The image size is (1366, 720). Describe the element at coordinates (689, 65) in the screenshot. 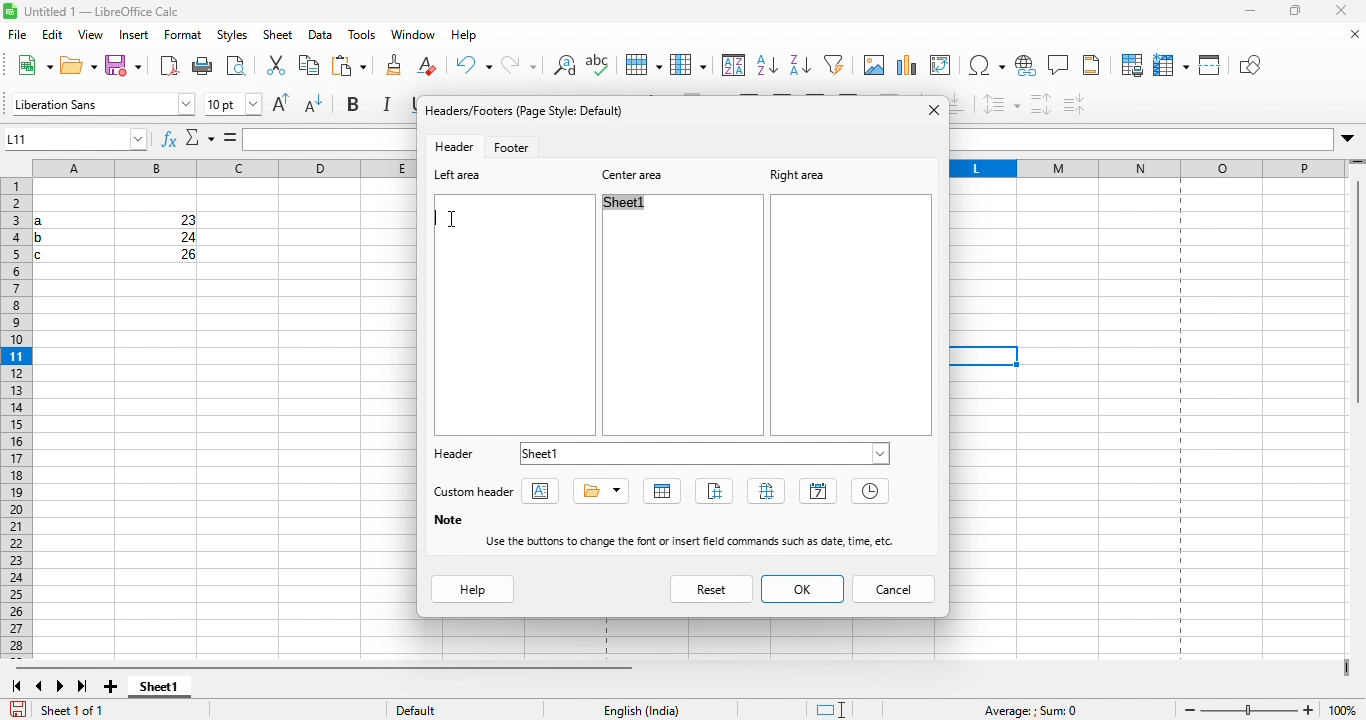

I see `sort` at that location.